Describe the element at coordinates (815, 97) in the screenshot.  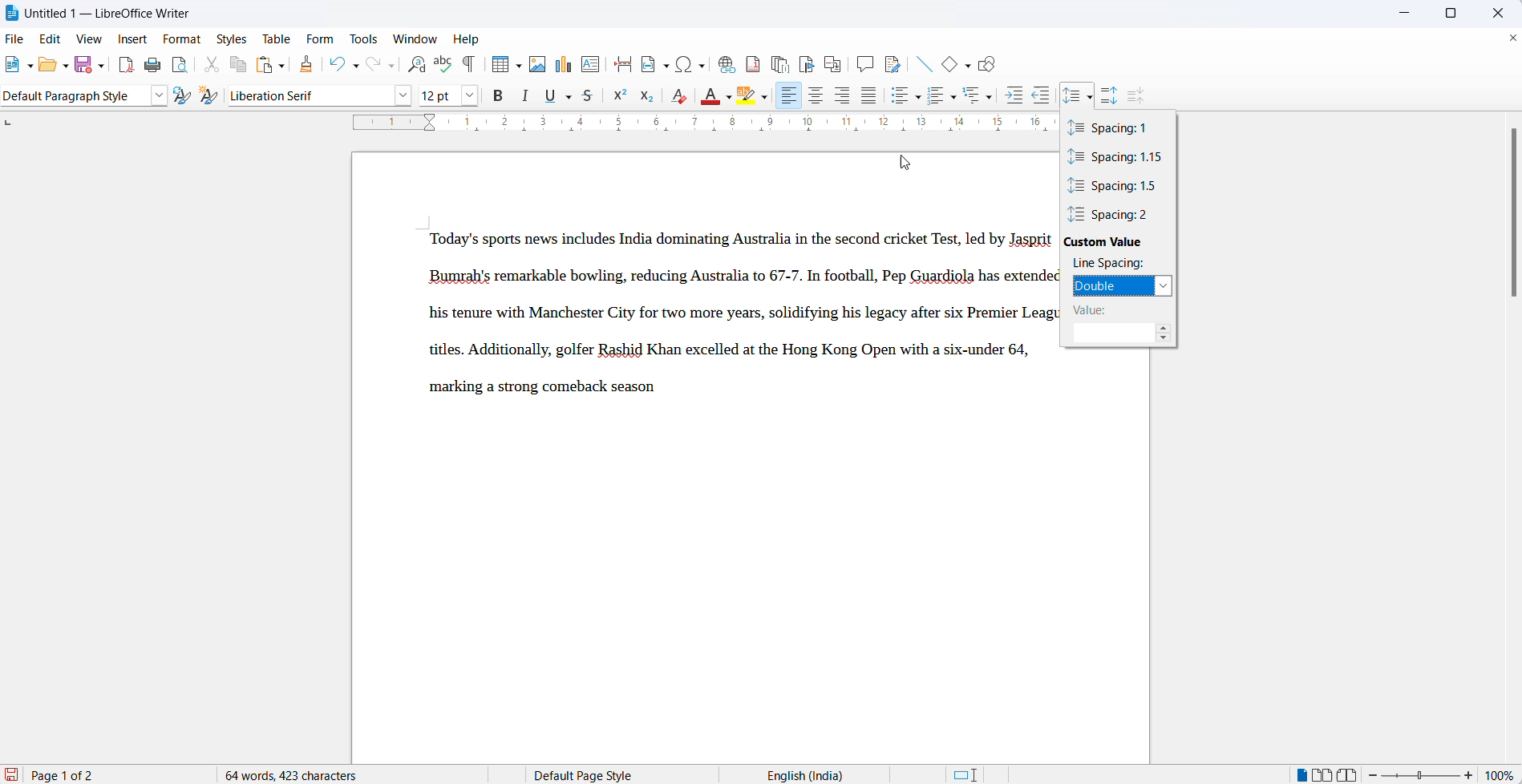
I see `tex align center` at that location.